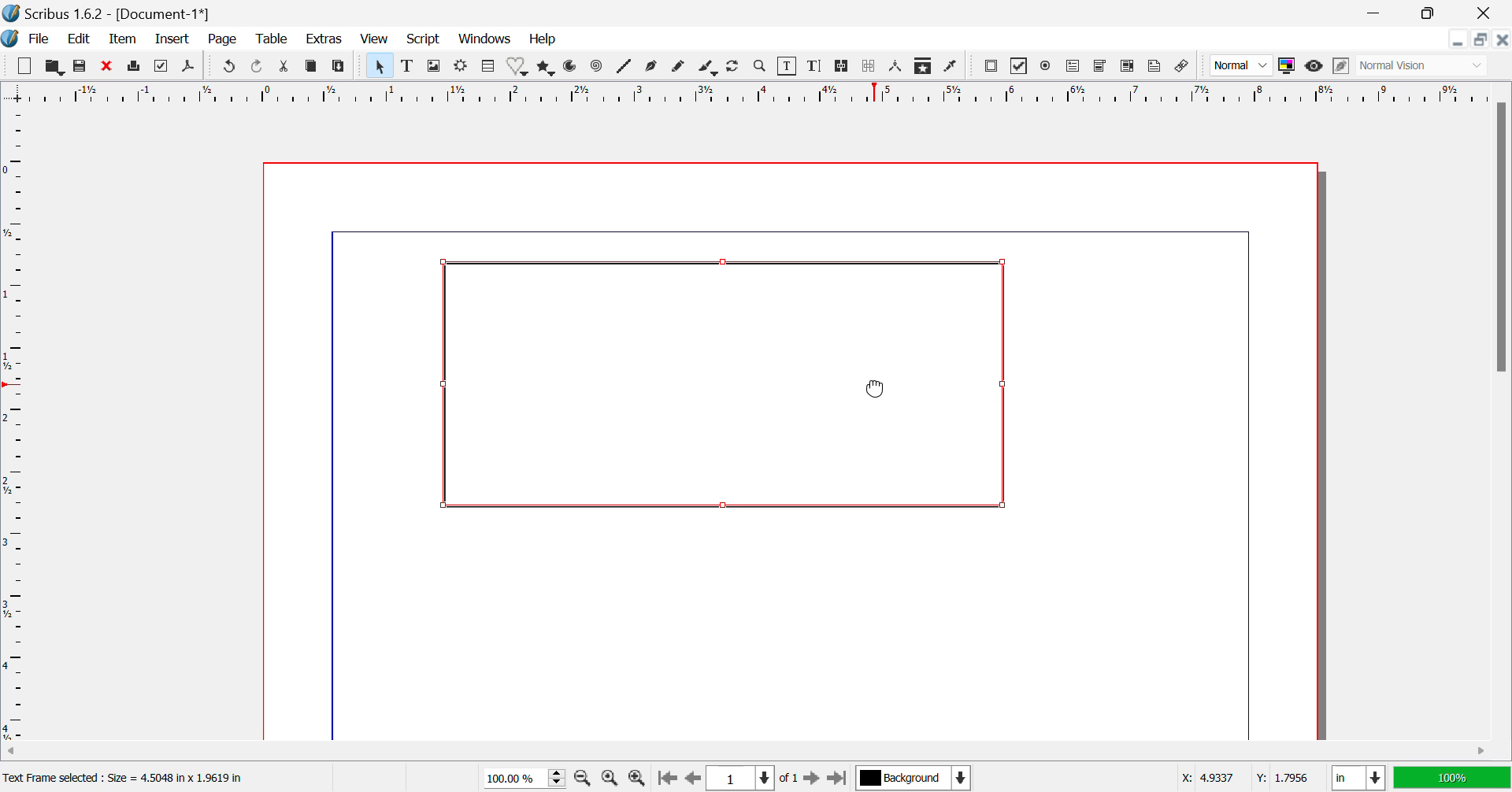 The height and width of the screenshot is (792, 1512). Describe the element at coordinates (991, 68) in the screenshot. I see `Pdf Push button` at that location.